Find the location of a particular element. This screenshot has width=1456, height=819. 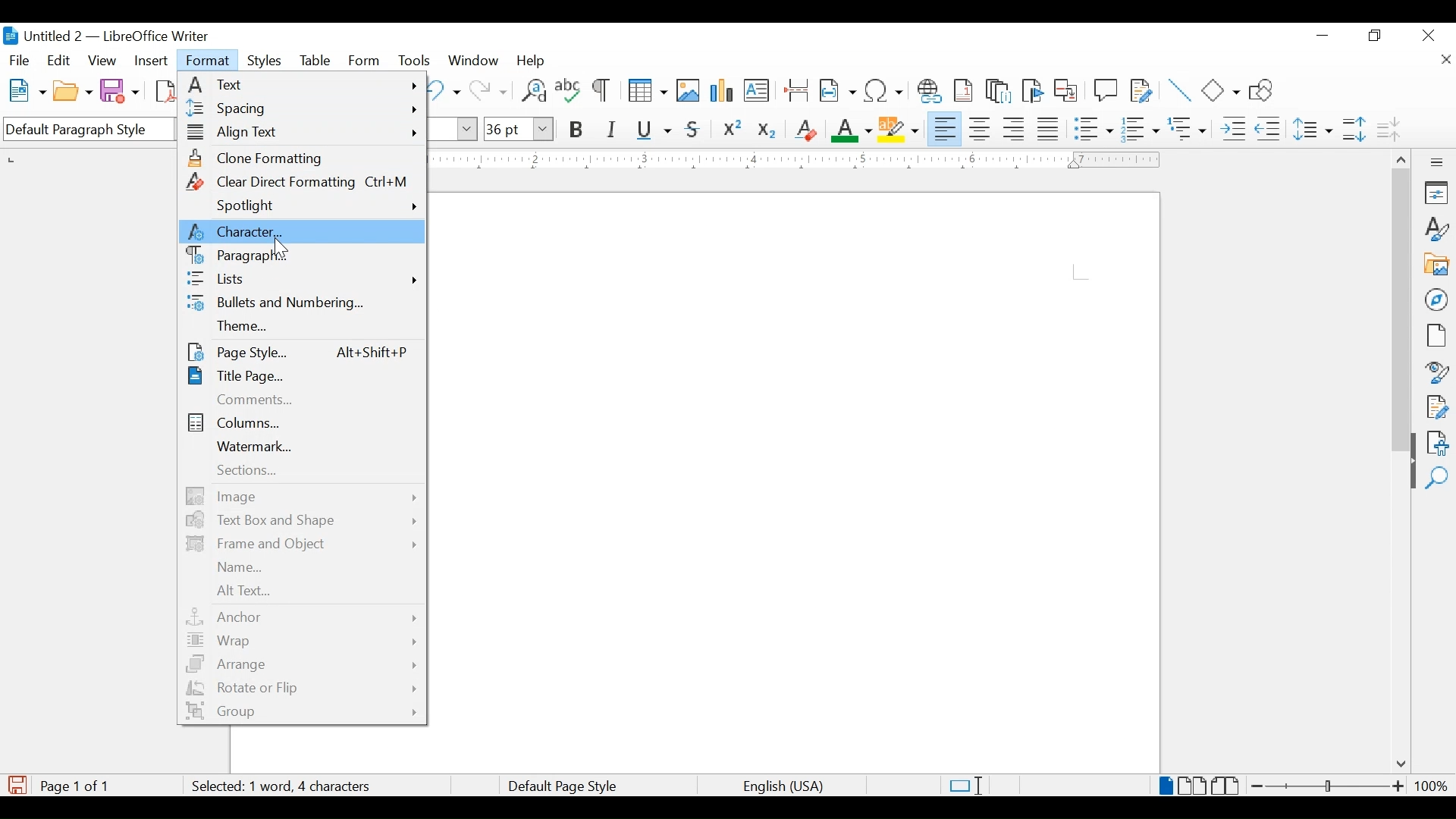

insert table is located at coordinates (648, 90).